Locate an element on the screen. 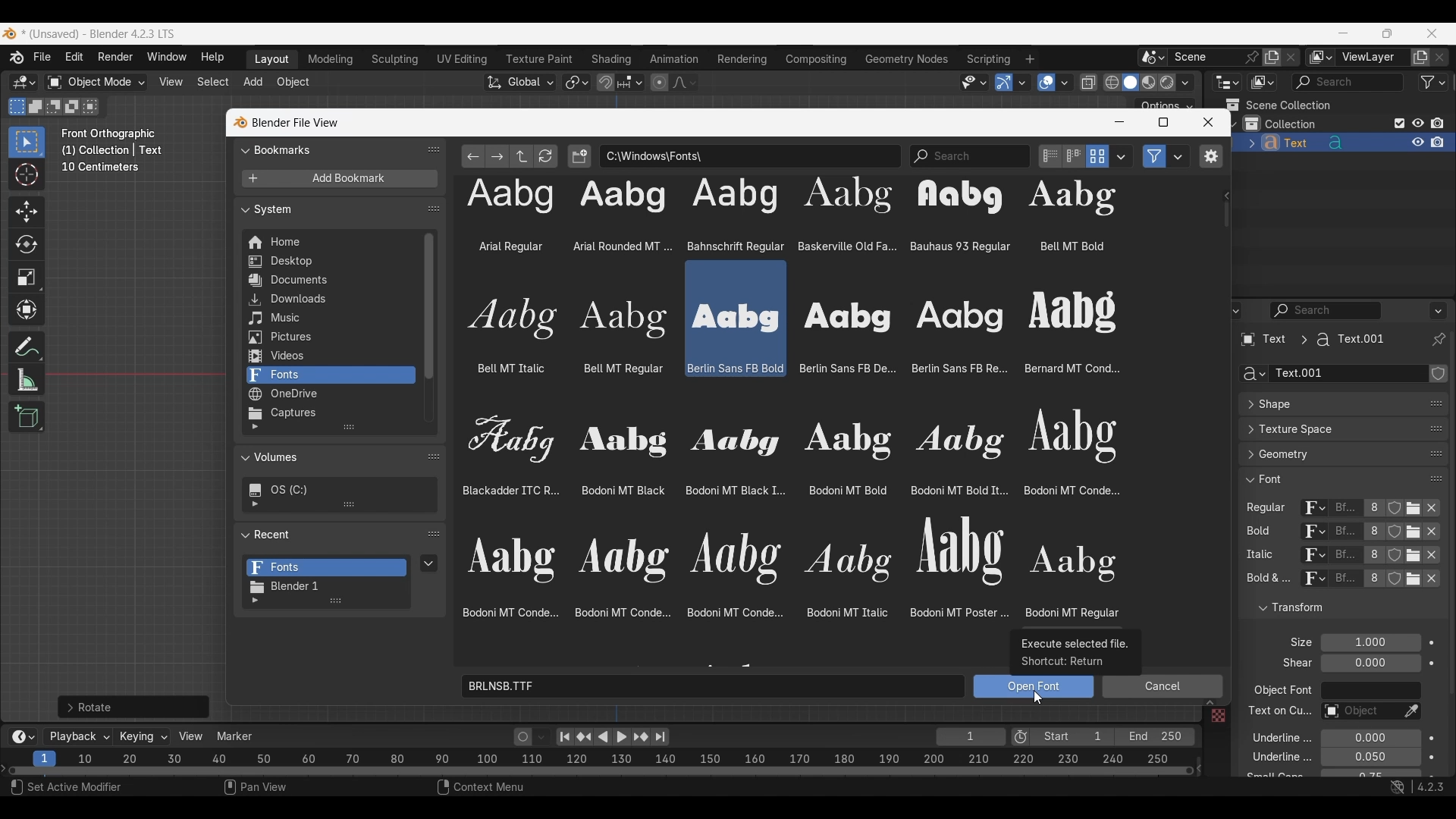 This screenshot has width=1456, height=819. Set a new selection is located at coordinates (17, 106).